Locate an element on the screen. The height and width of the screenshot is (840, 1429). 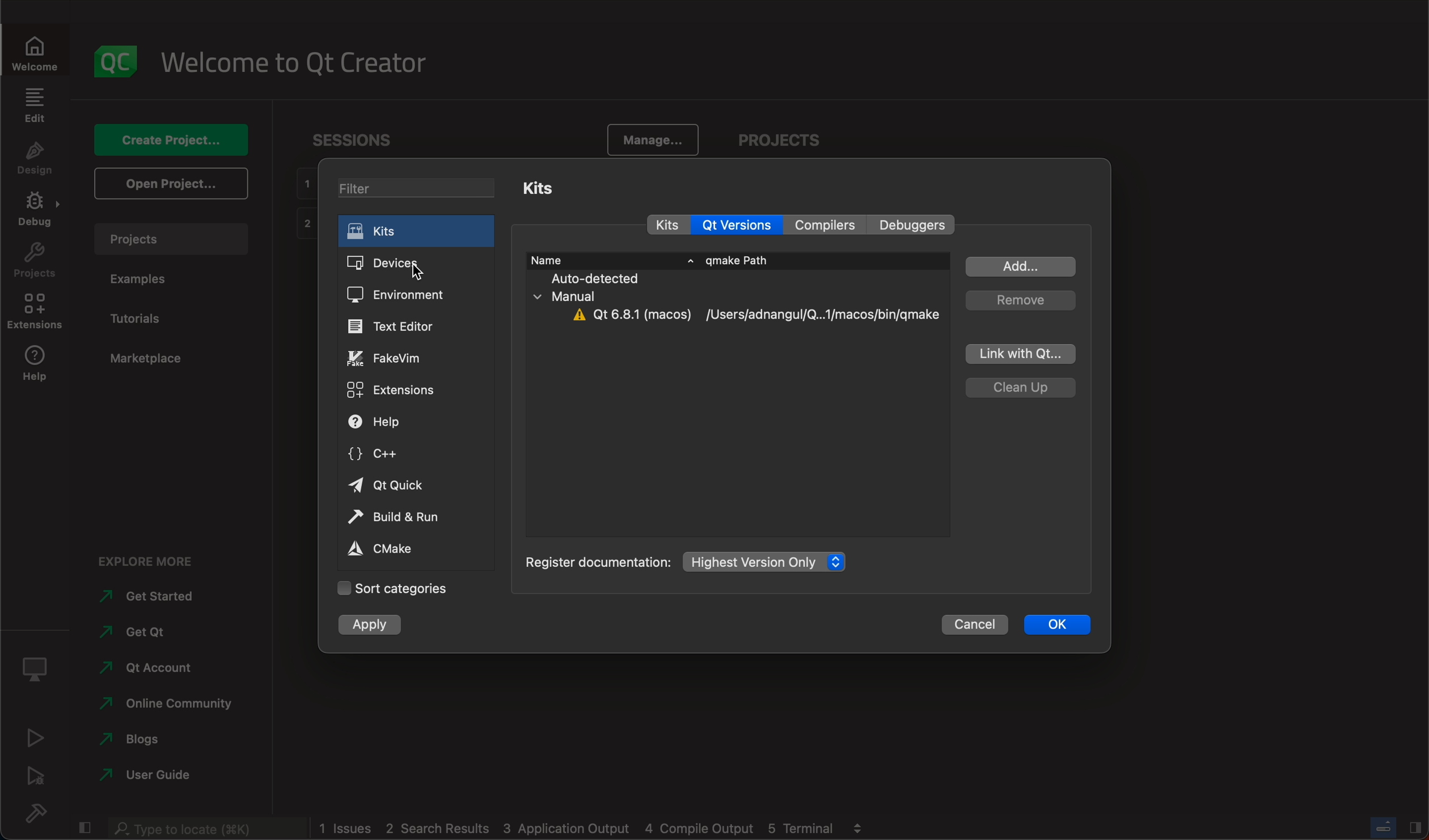
sessions is located at coordinates (360, 139).